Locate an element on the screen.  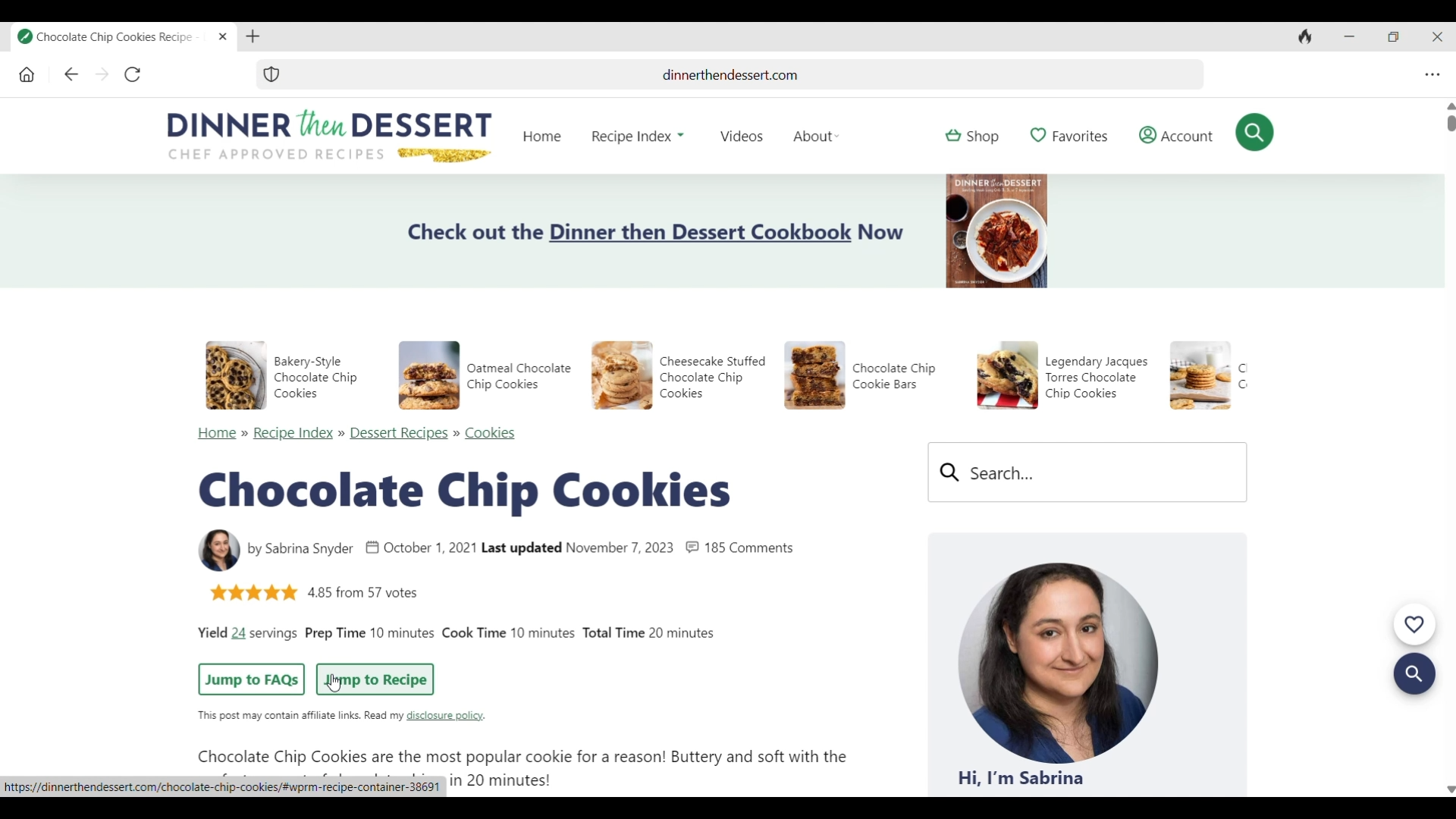
Bakery-Style Chocolate Chip Cookies is located at coordinates (315, 377).